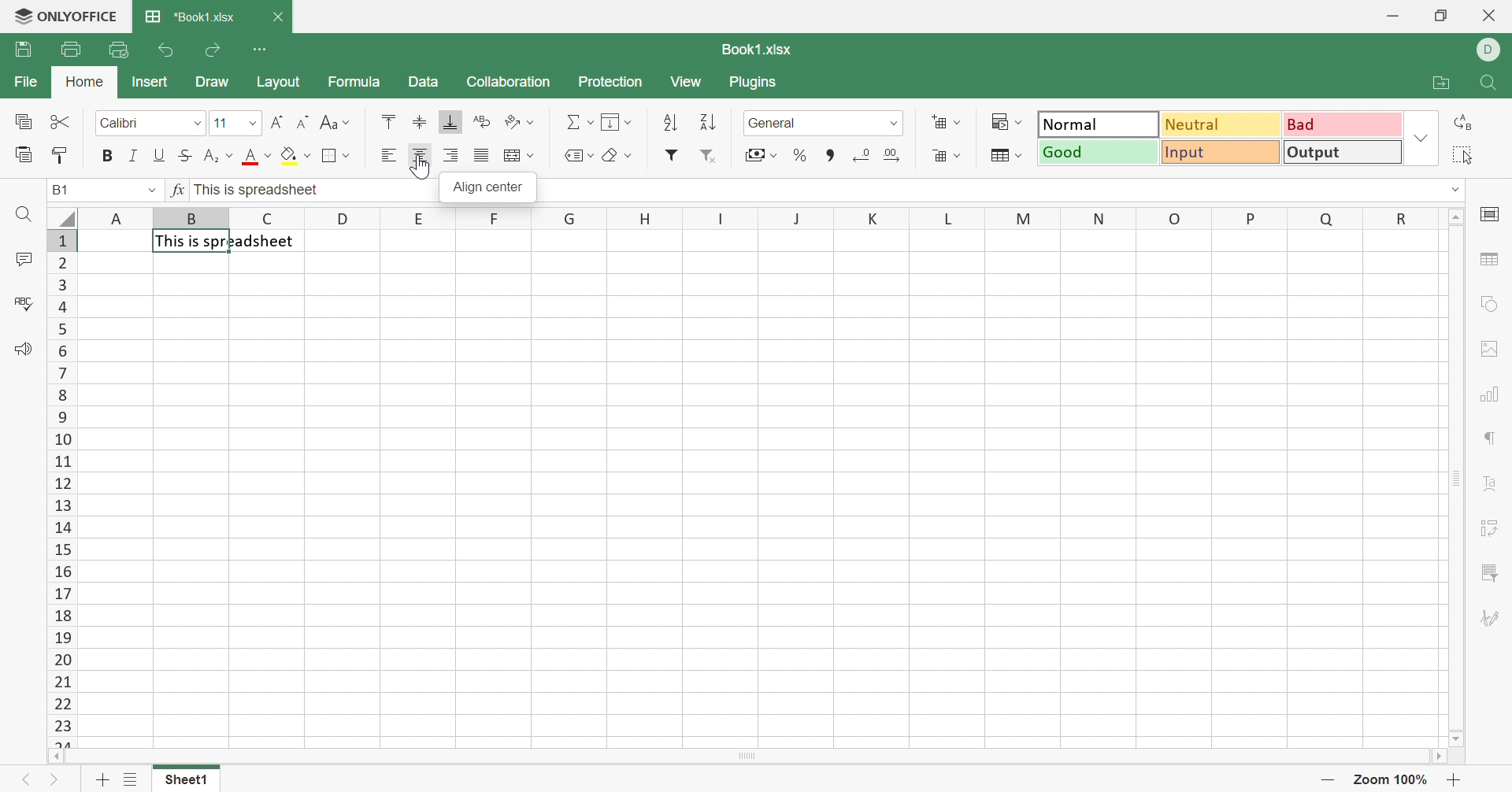 The height and width of the screenshot is (792, 1512). Describe the element at coordinates (532, 156) in the screenshot. I see `Drop Down` at that location.